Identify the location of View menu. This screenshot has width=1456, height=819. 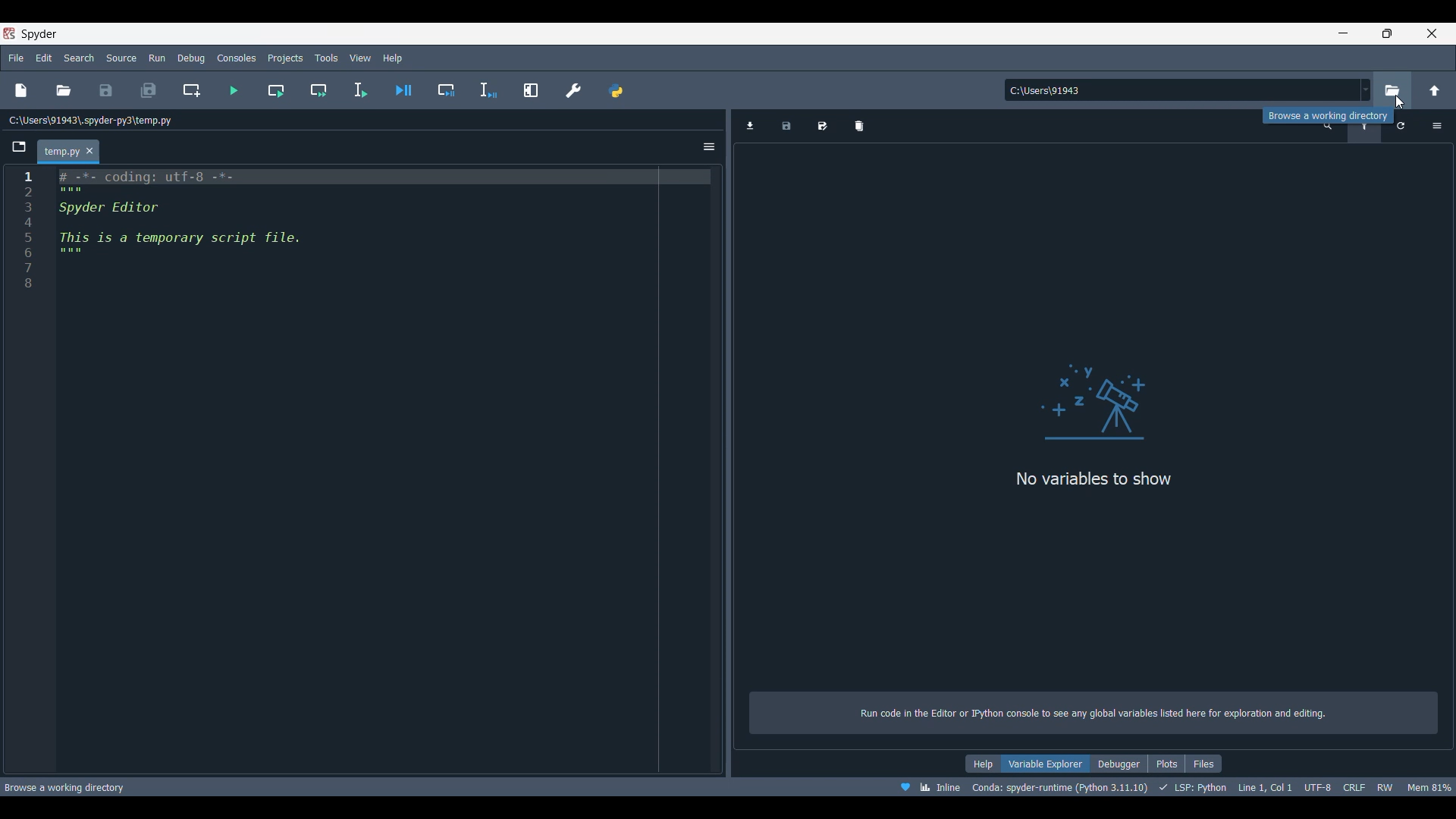
(360, 58).